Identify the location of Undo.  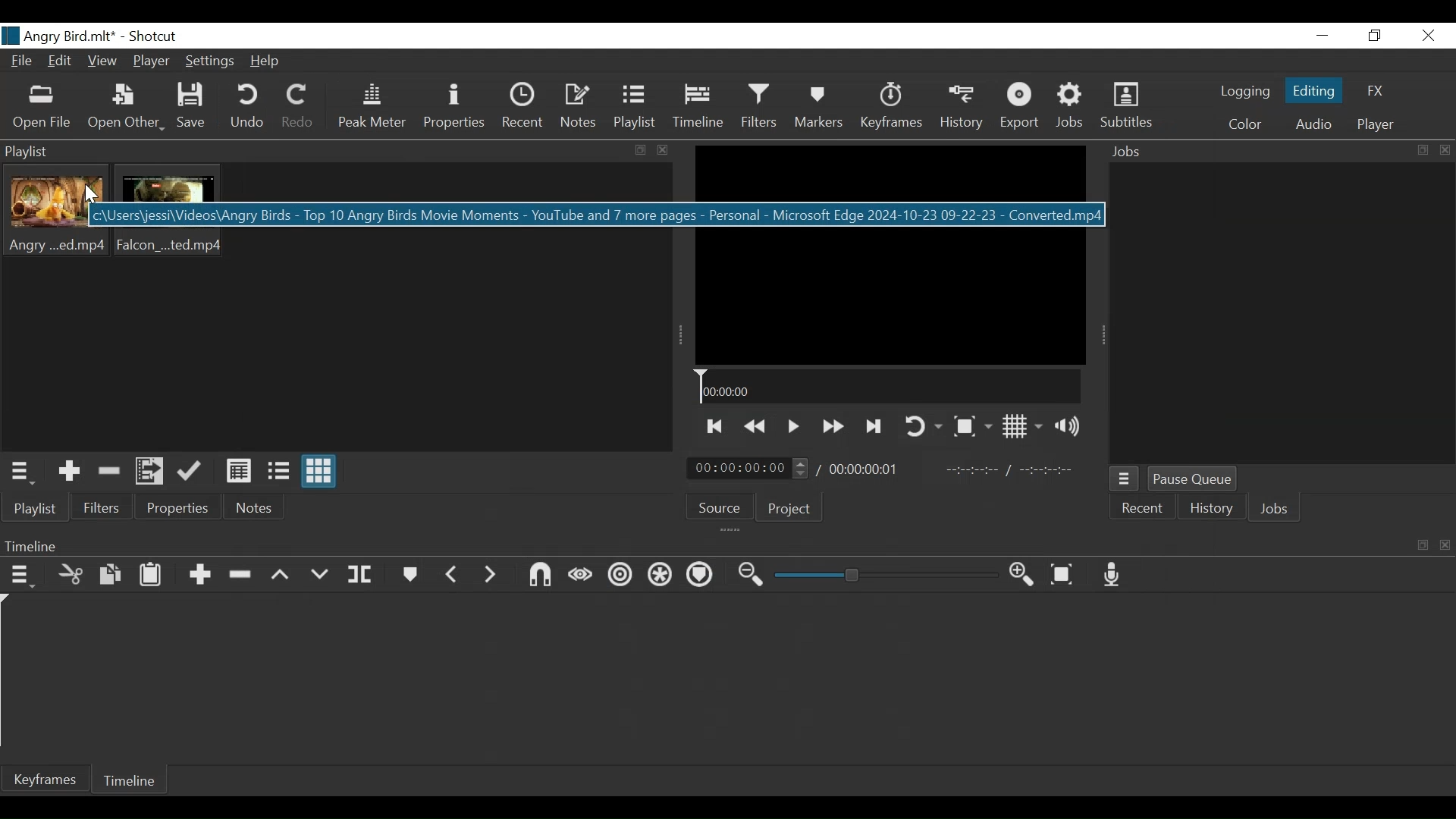
(246, 108).